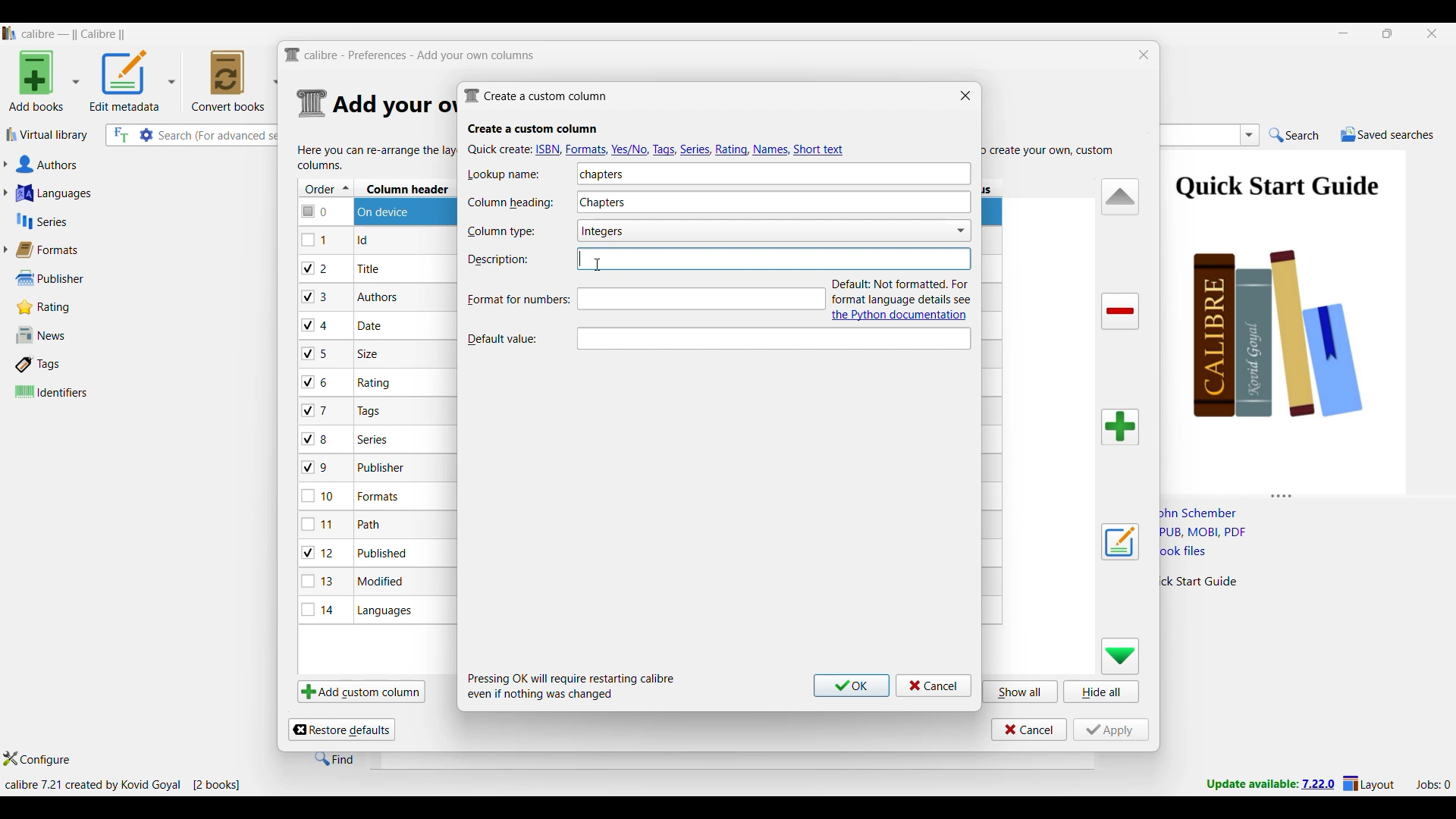  Describe the element at coordinates (926, 231) in the screenshot. I see `Toggle for Show checkmarks` at that location.